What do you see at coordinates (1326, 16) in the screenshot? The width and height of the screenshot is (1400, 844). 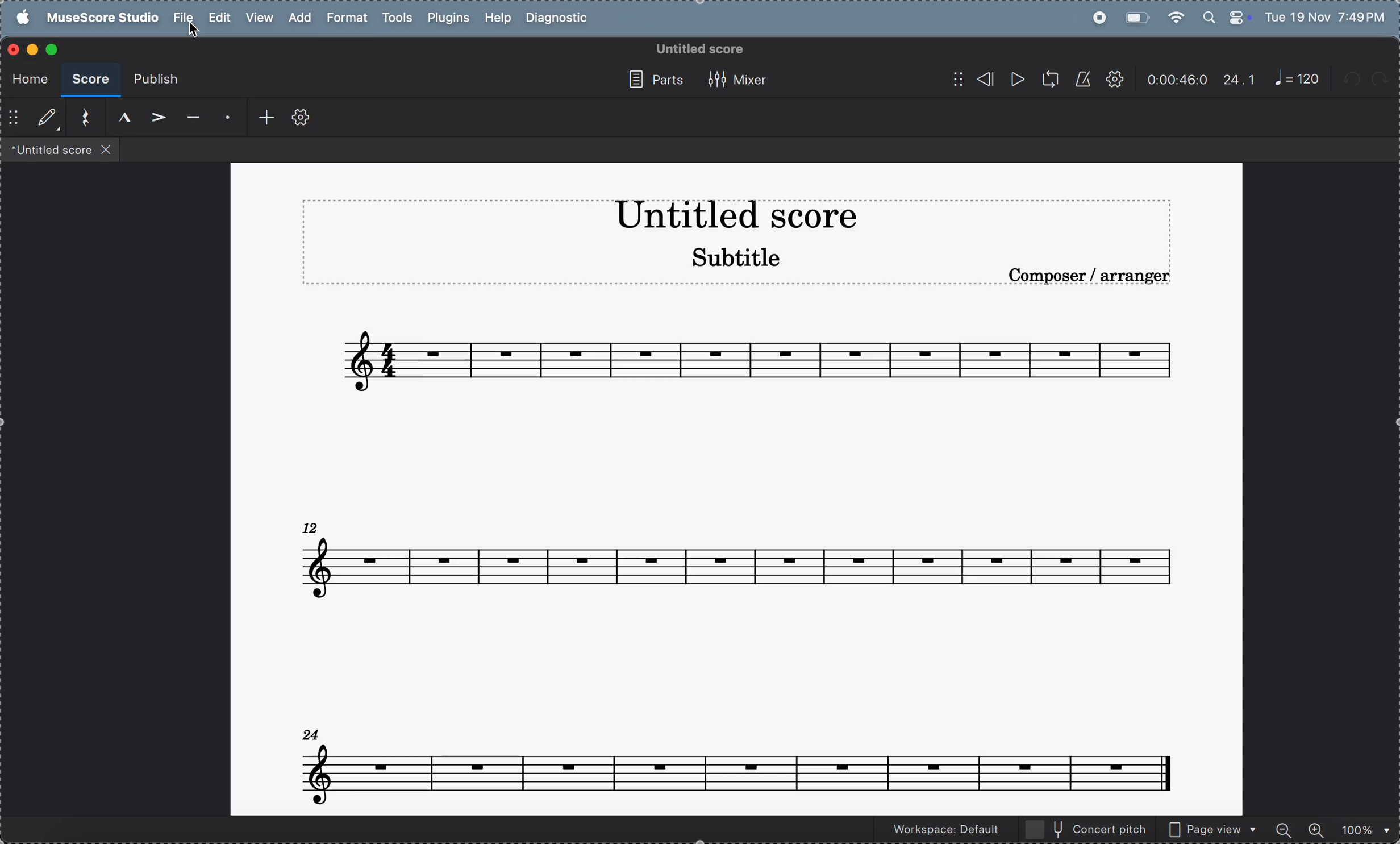 I see `date and time` at bounding box center [1326, 16].